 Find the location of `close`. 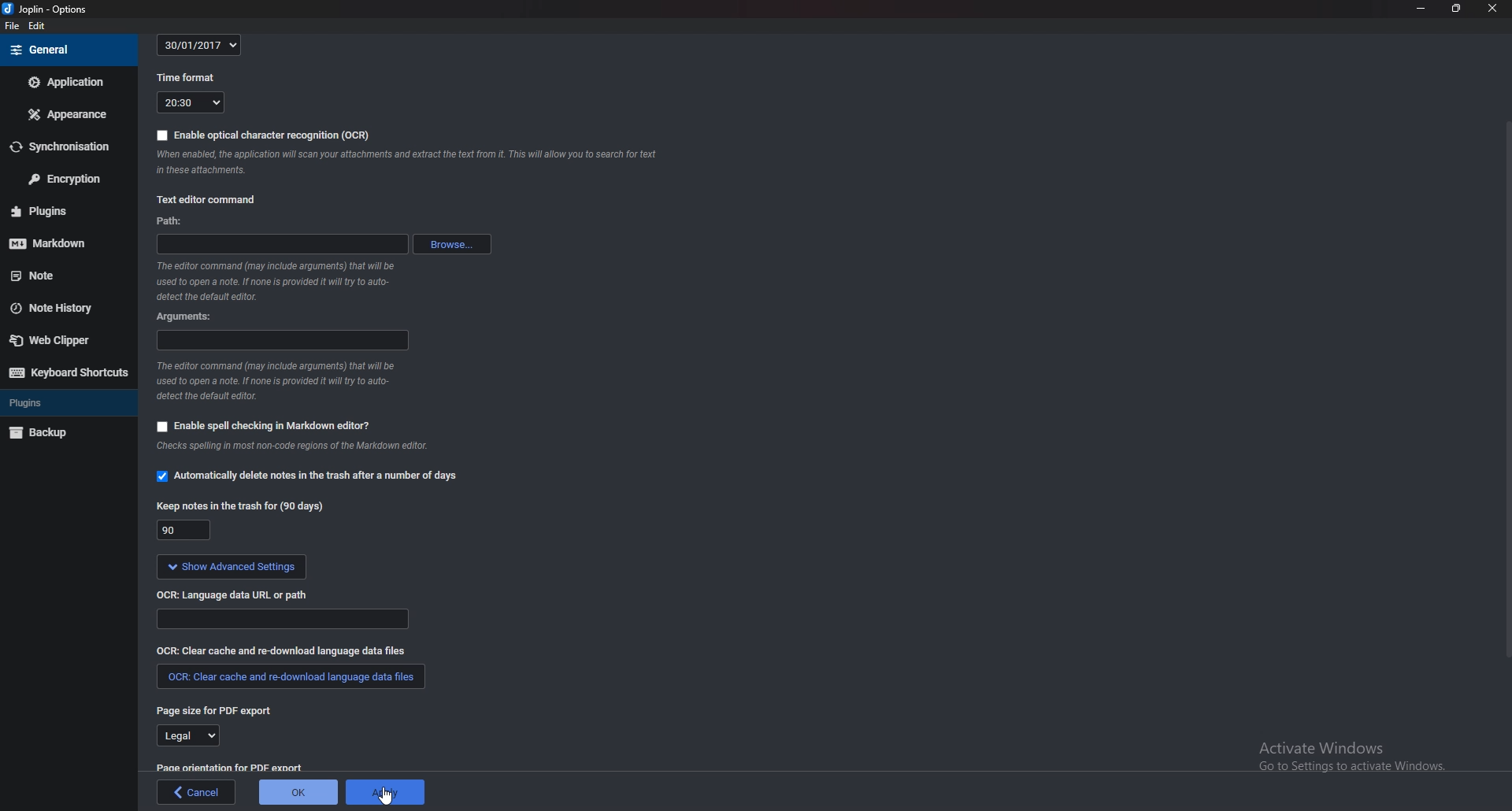

close is located at coordinates (1490, 7).